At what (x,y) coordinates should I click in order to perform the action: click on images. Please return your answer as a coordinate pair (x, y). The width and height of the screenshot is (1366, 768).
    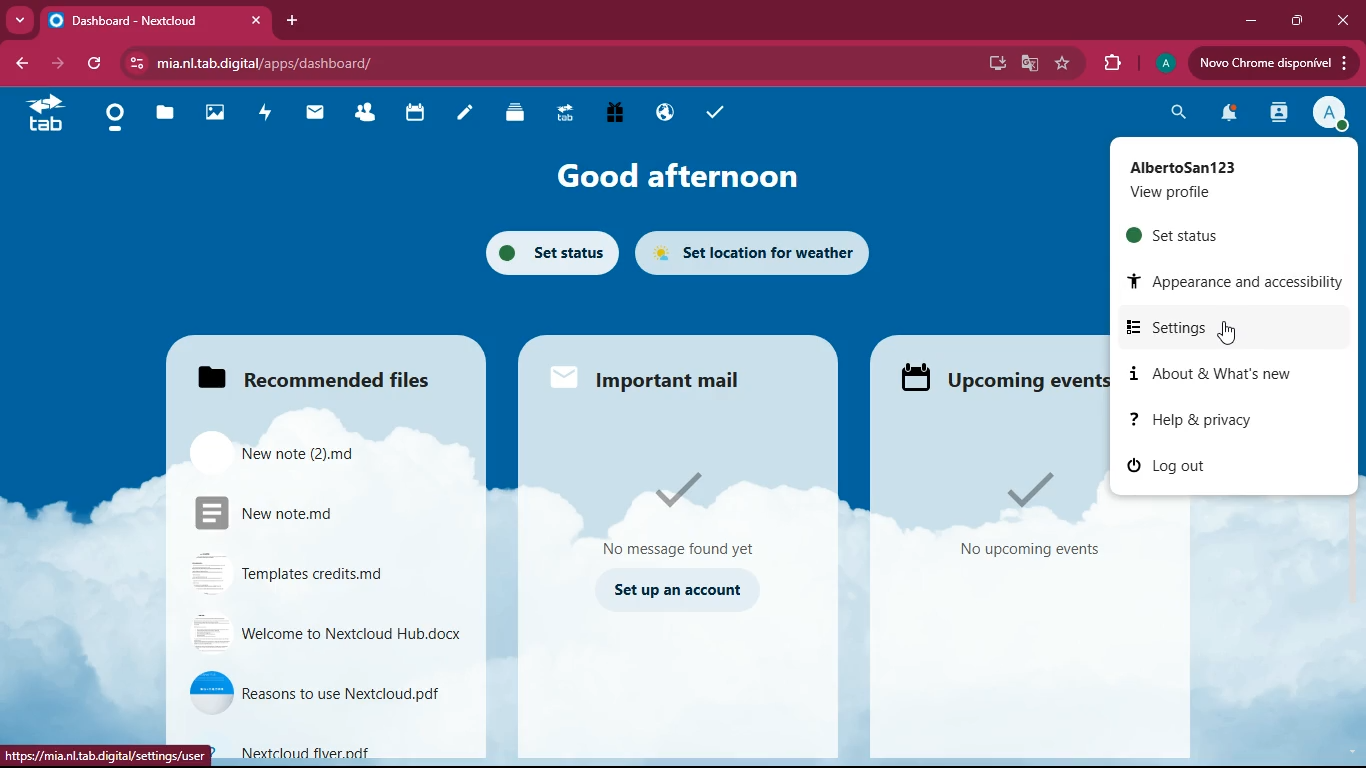
    Looking at the image, I should click on (213, 113).